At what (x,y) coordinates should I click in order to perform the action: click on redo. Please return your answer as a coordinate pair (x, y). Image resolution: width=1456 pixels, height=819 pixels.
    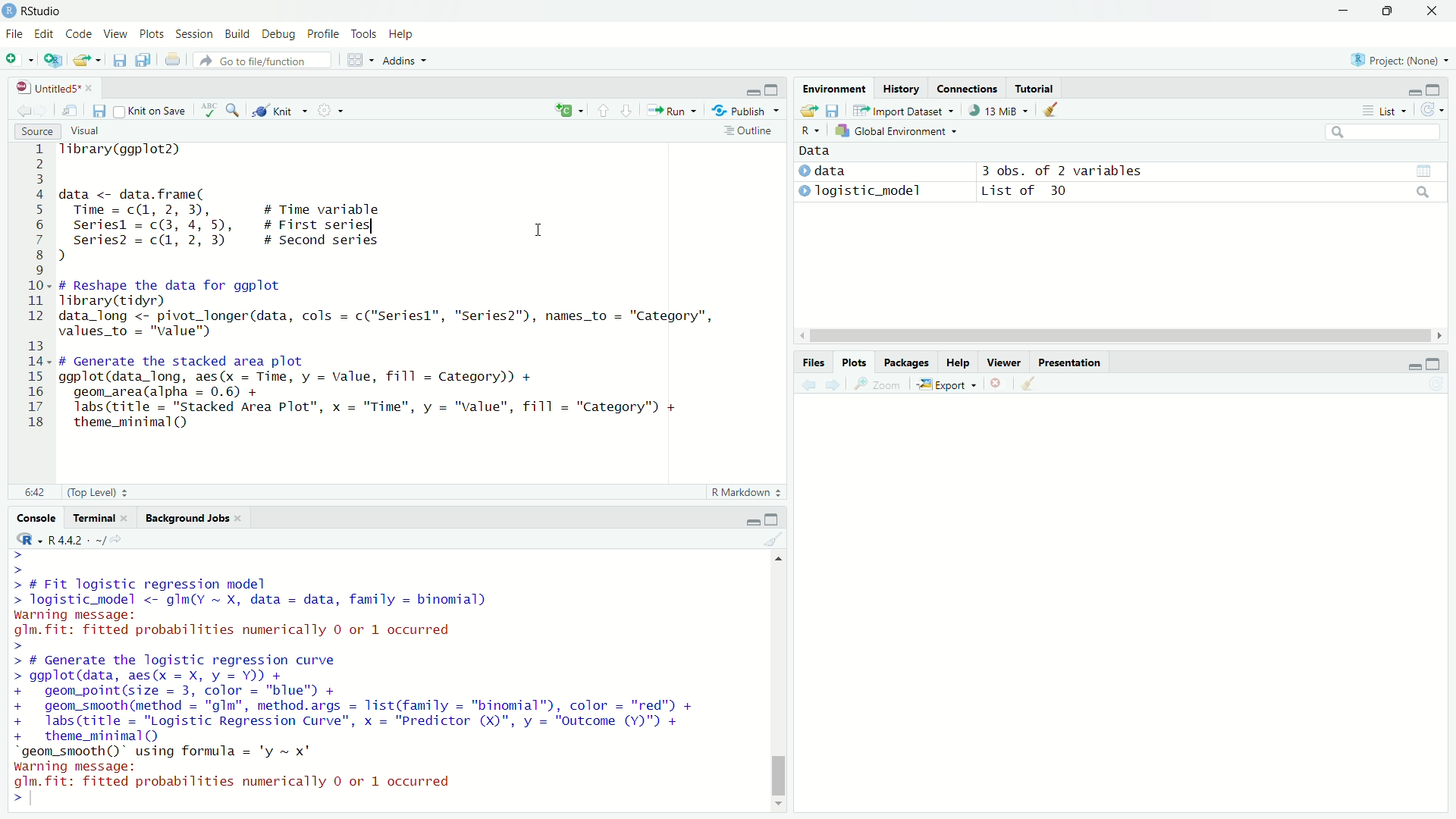
    Looking at the image, I should click on (207, 61).